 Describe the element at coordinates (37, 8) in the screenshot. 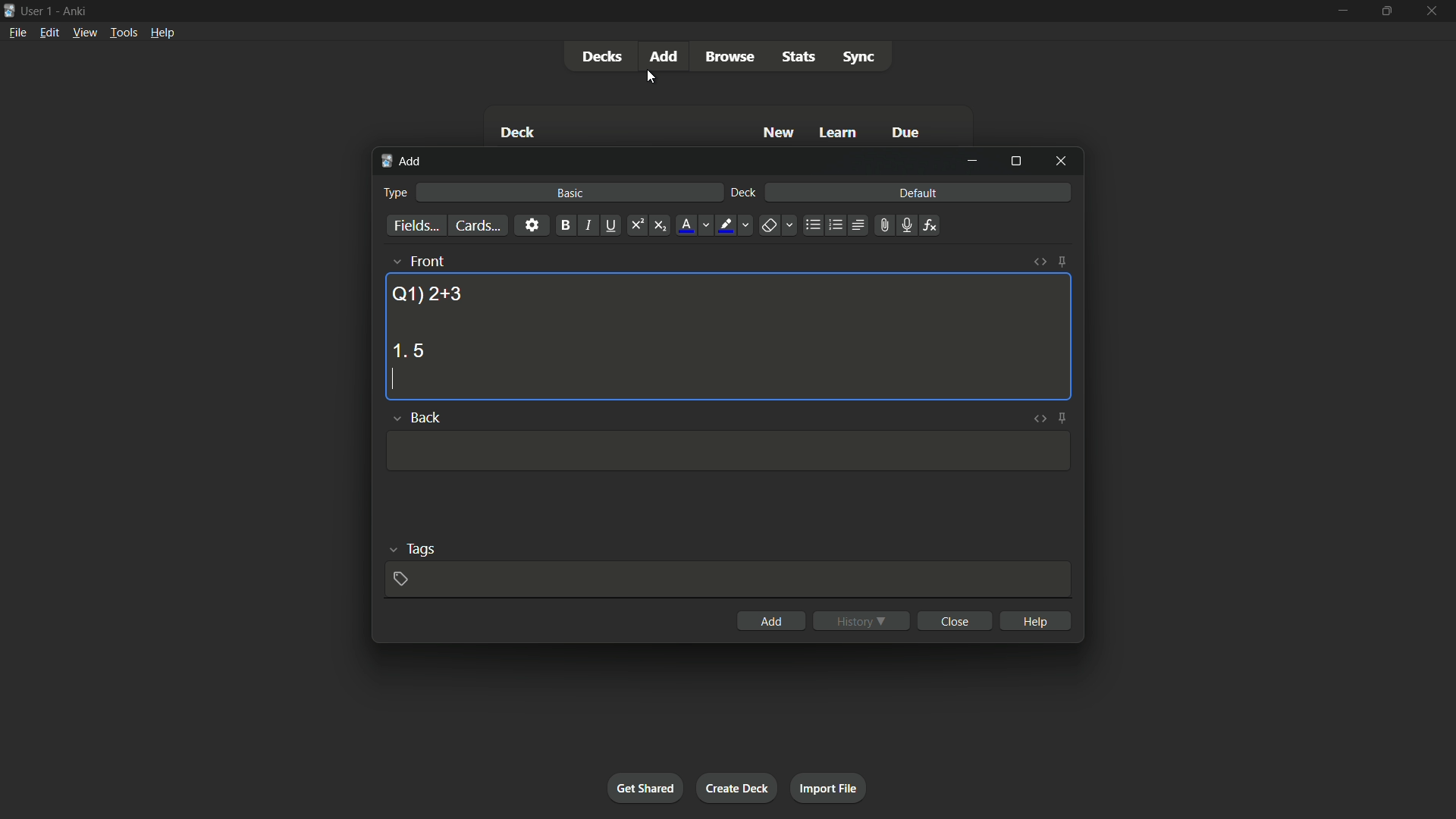

I see `user 1` at that location.